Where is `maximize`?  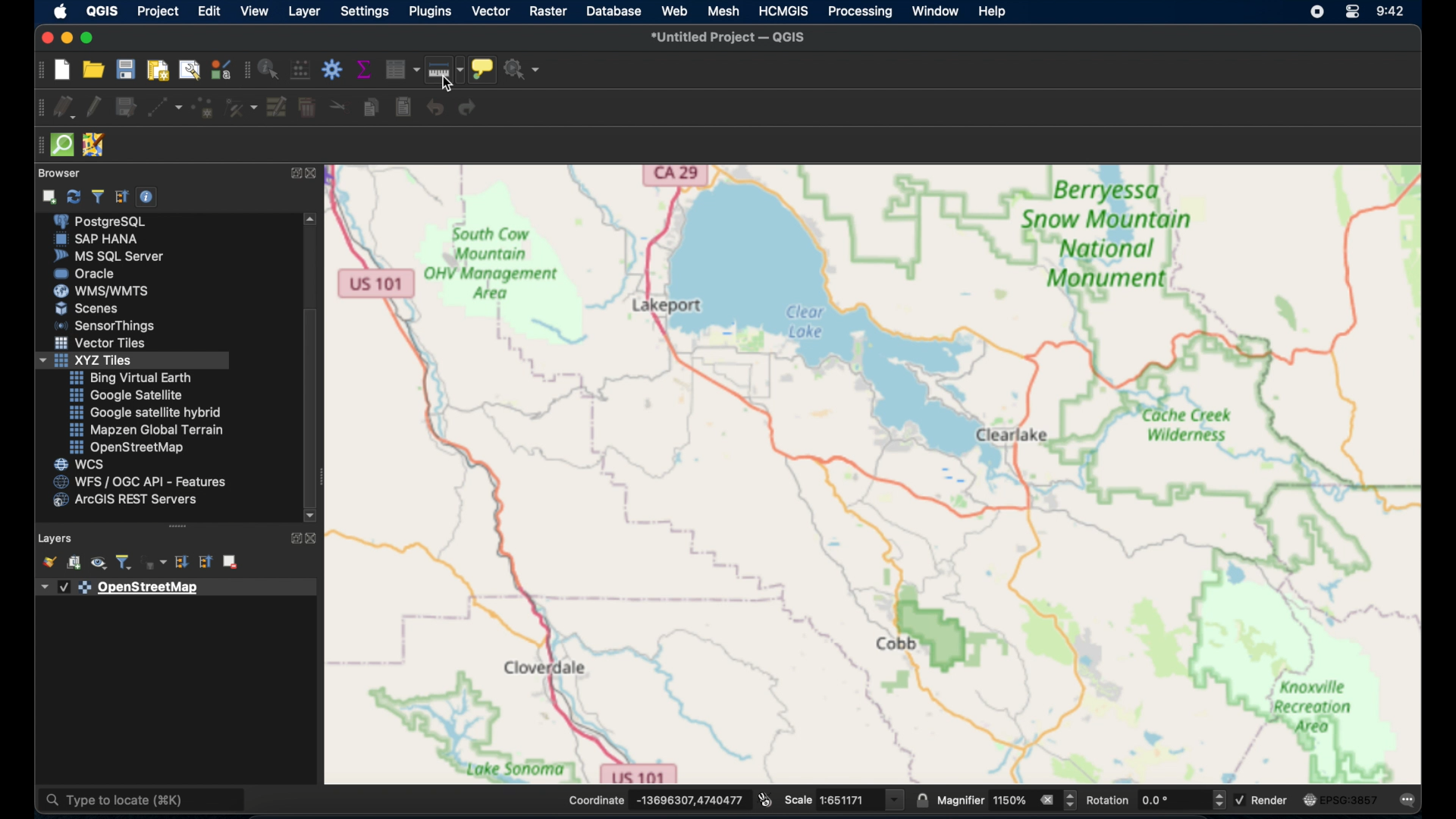
maximize is located at coordinates (89, 38).